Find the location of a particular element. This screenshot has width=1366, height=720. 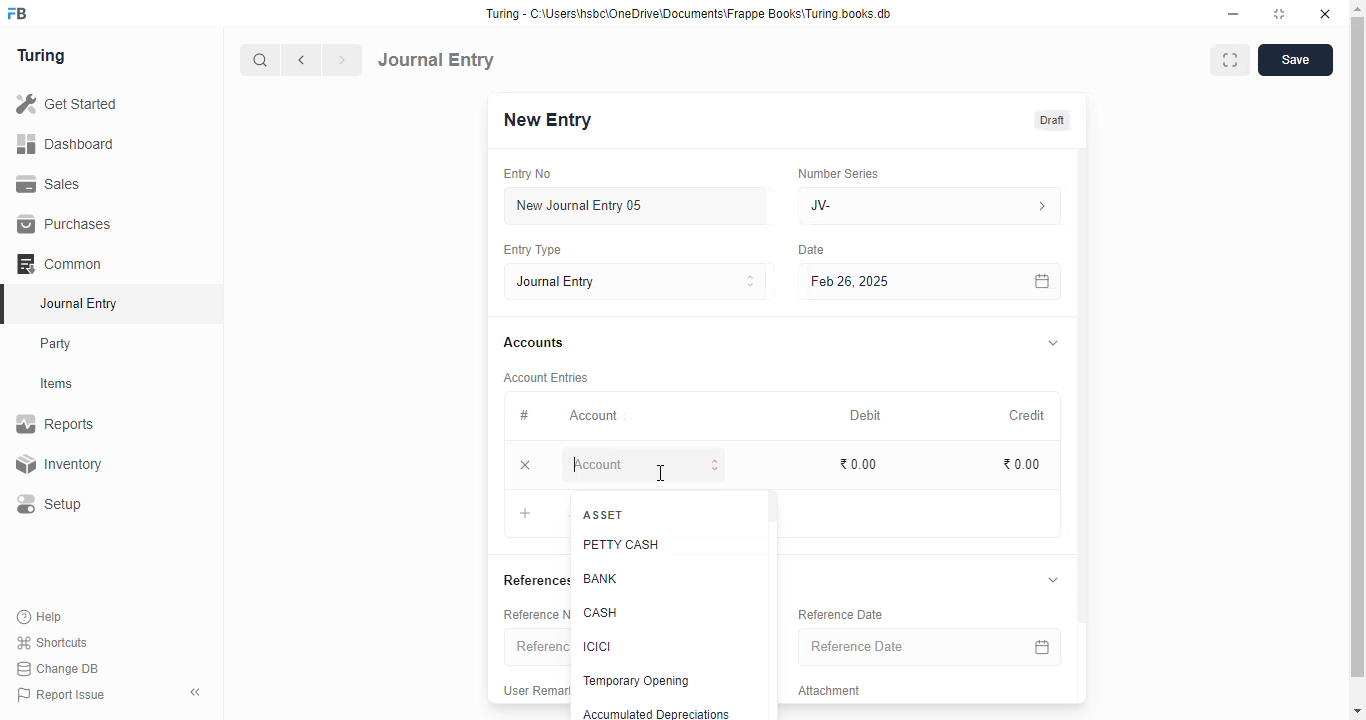

toggle between form and full width is located at coordinates (1229, 60).